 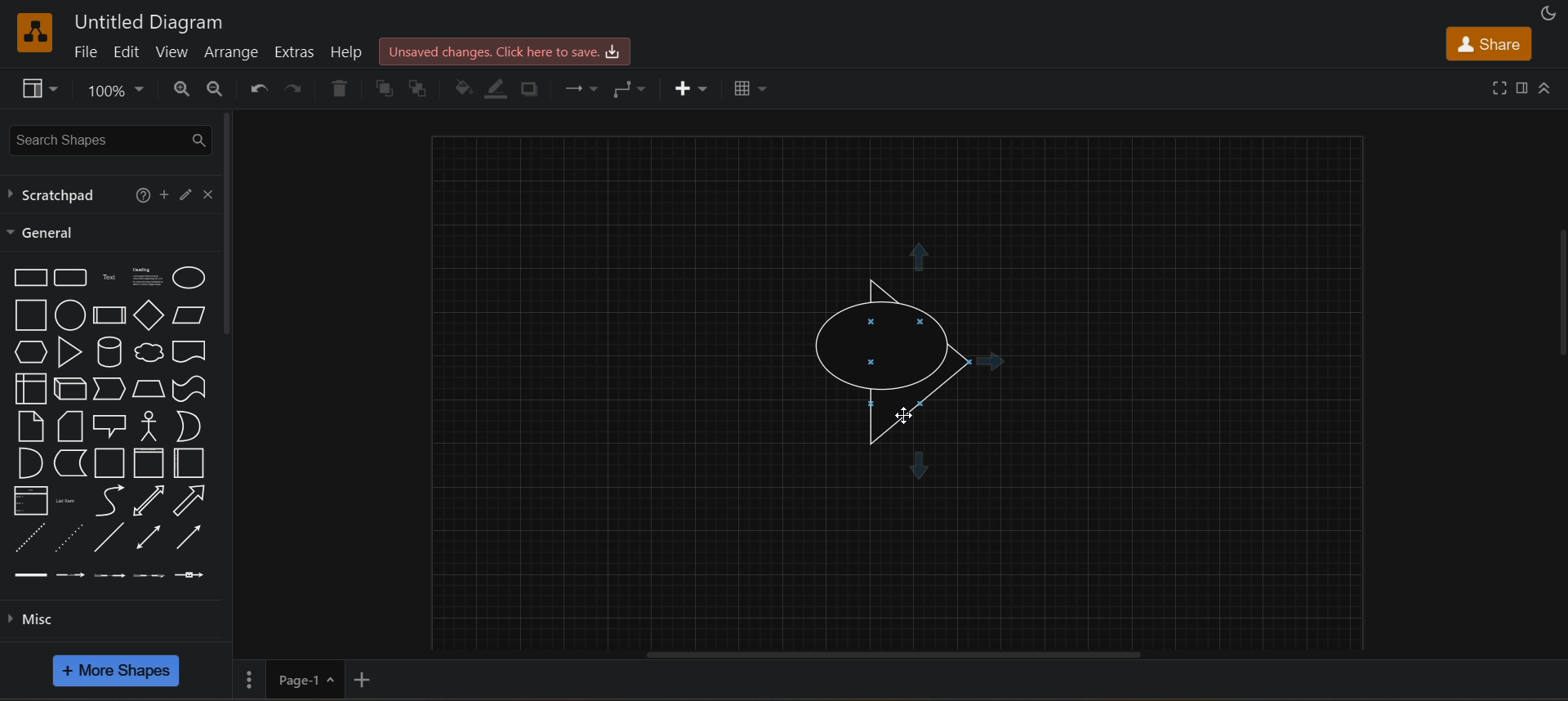 I want to click on link, so click(x=30, y=575).